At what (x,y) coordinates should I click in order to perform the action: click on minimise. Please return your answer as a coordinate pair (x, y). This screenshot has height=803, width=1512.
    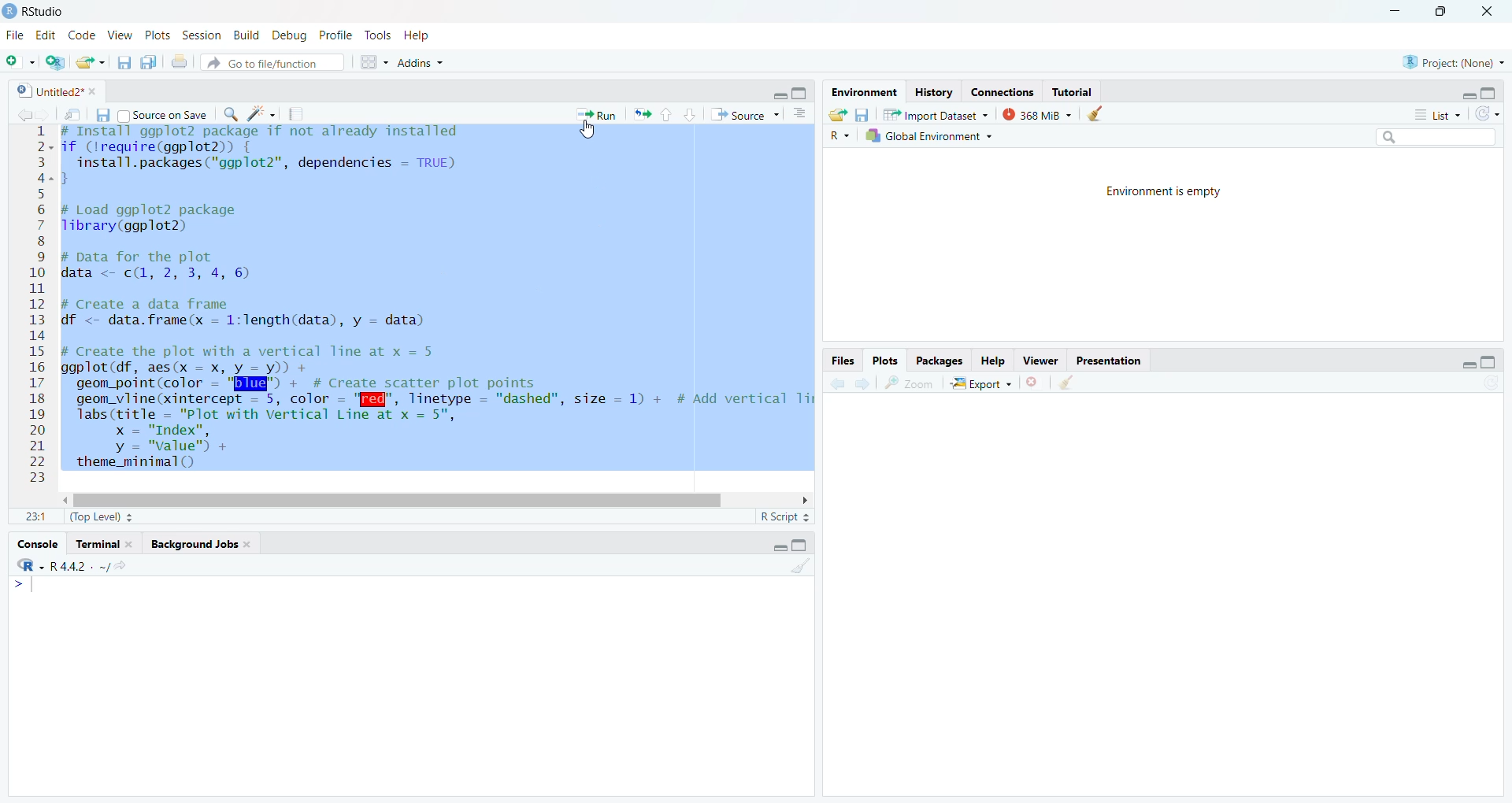
    Looking at the image, I should click on (772, 547).